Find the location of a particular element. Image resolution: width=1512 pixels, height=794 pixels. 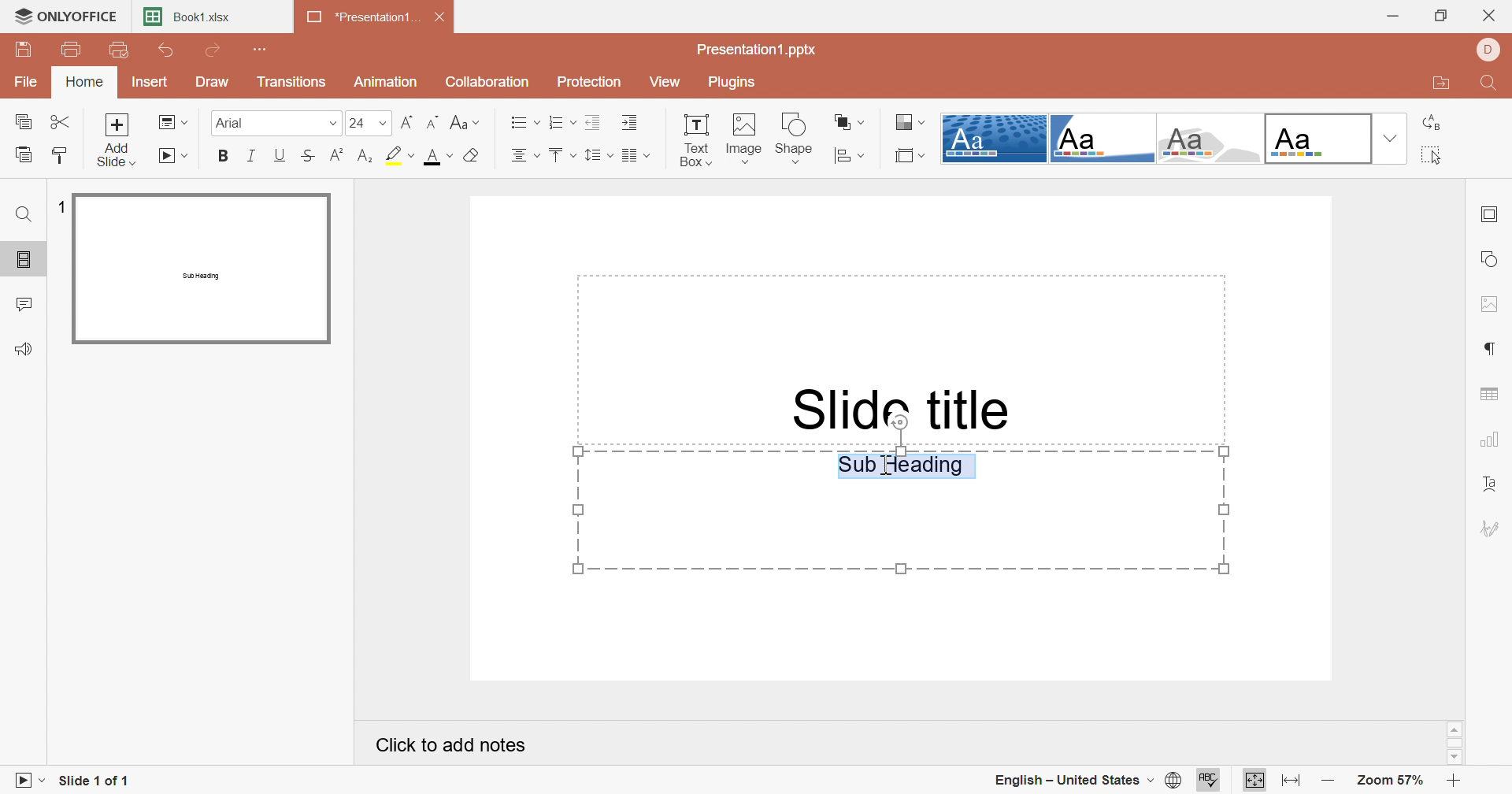

Add slide is located at coordinates (114, 140).